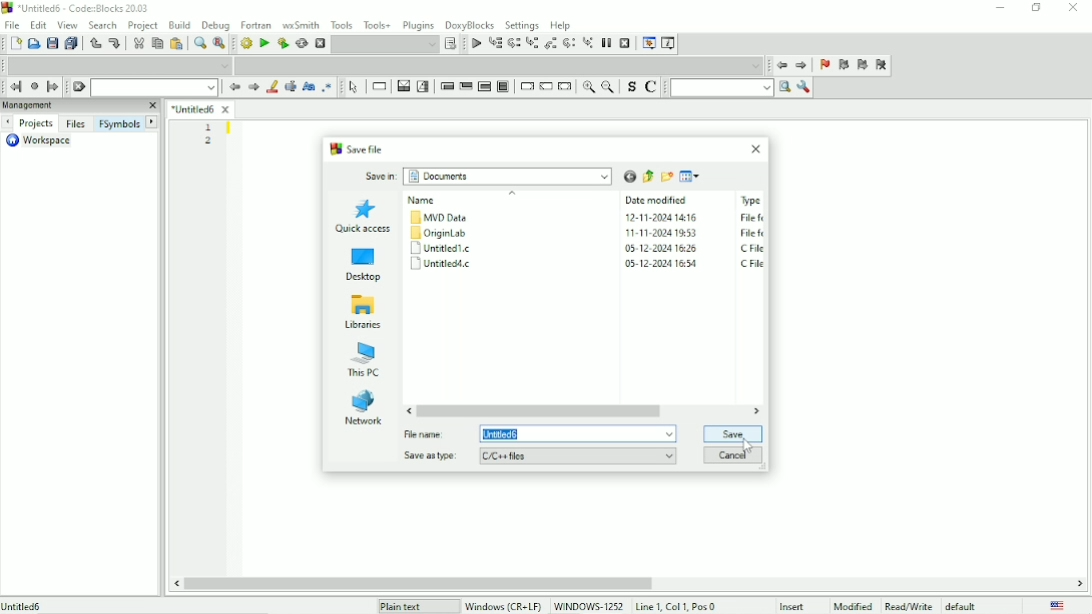  I want to click on Create new folder, so click(667, 177).